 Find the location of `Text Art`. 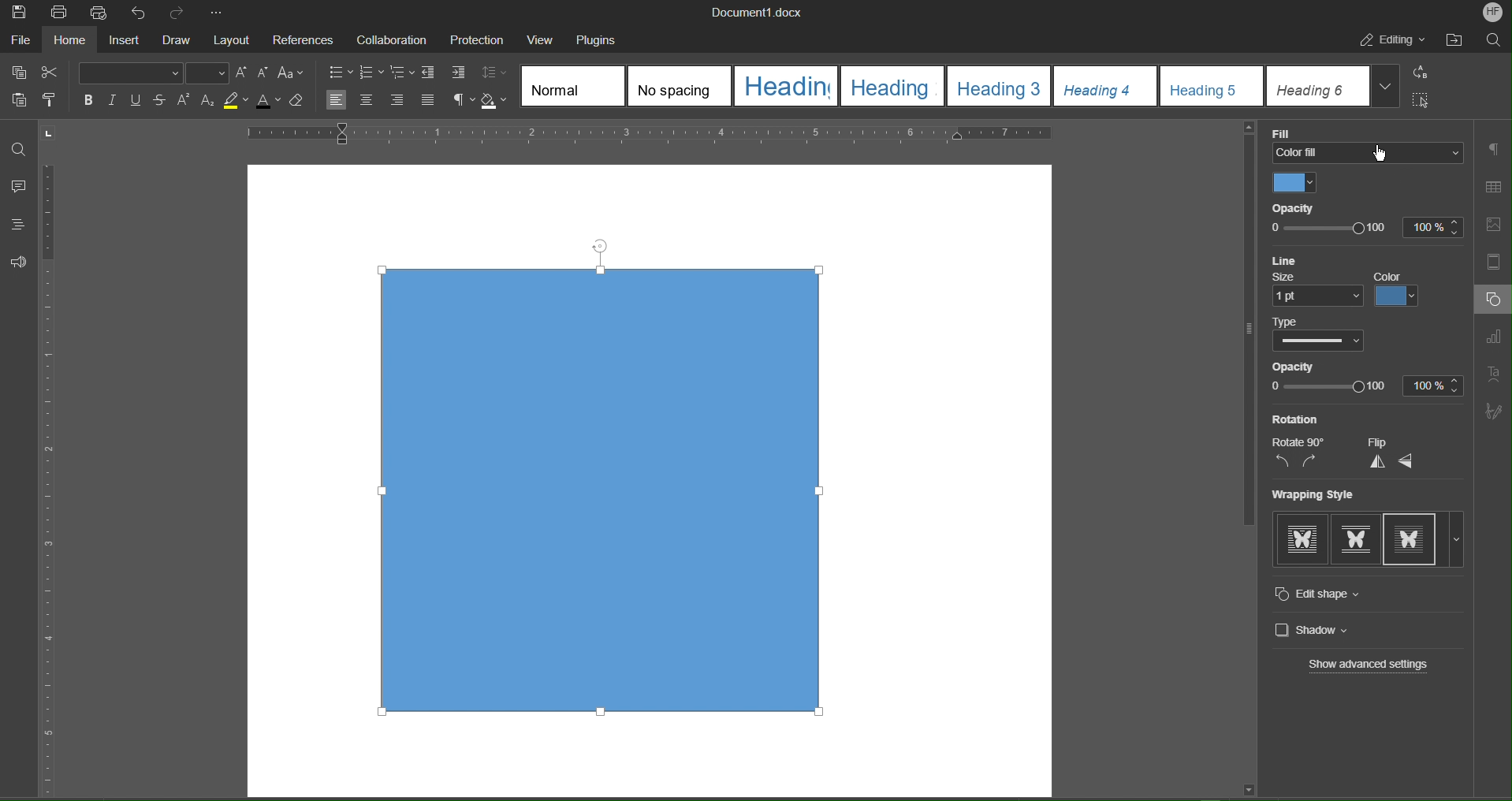

Text Art is located at coordinates (1496, 371).